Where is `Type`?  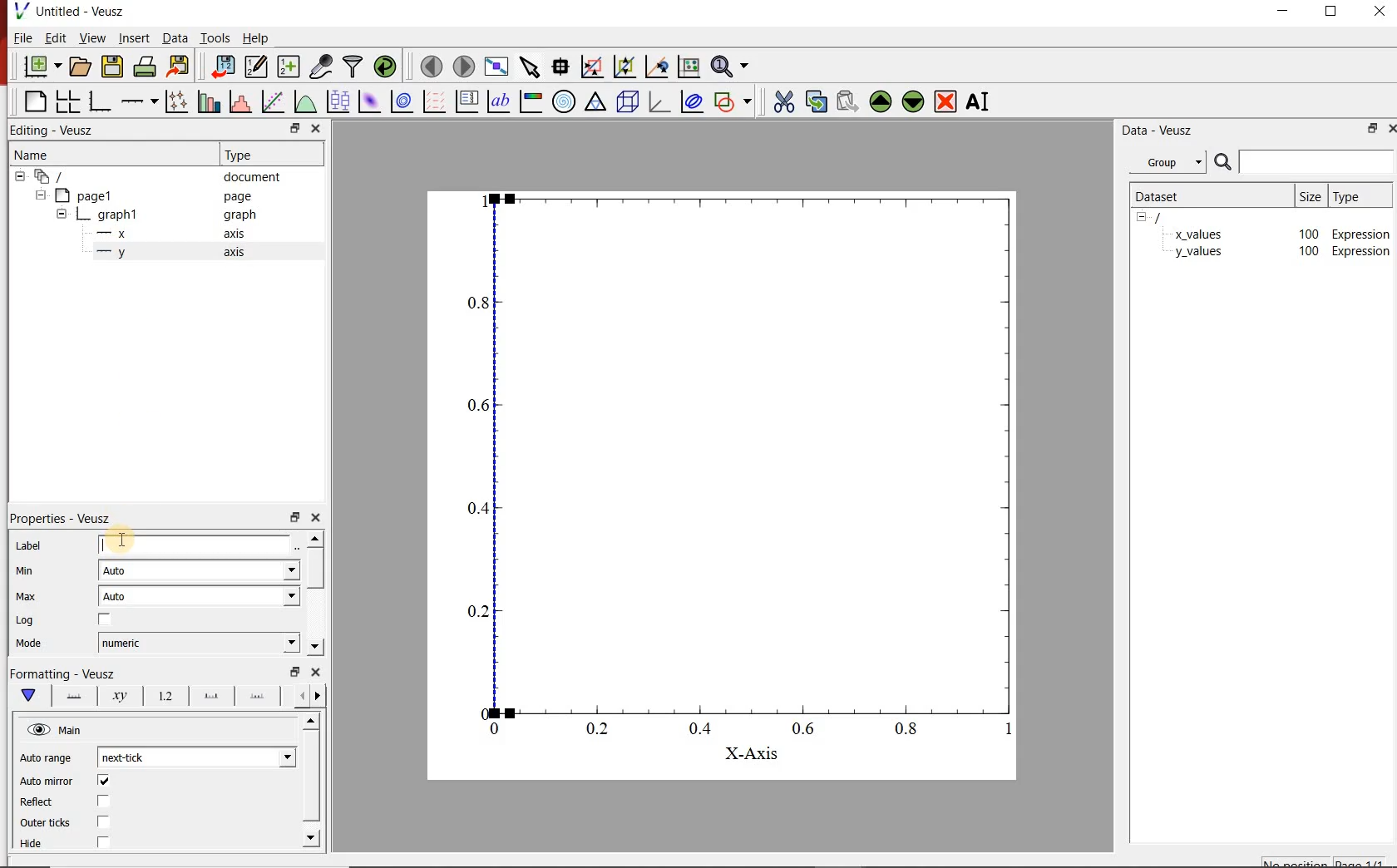
Type is located at coordinates (250, 155).